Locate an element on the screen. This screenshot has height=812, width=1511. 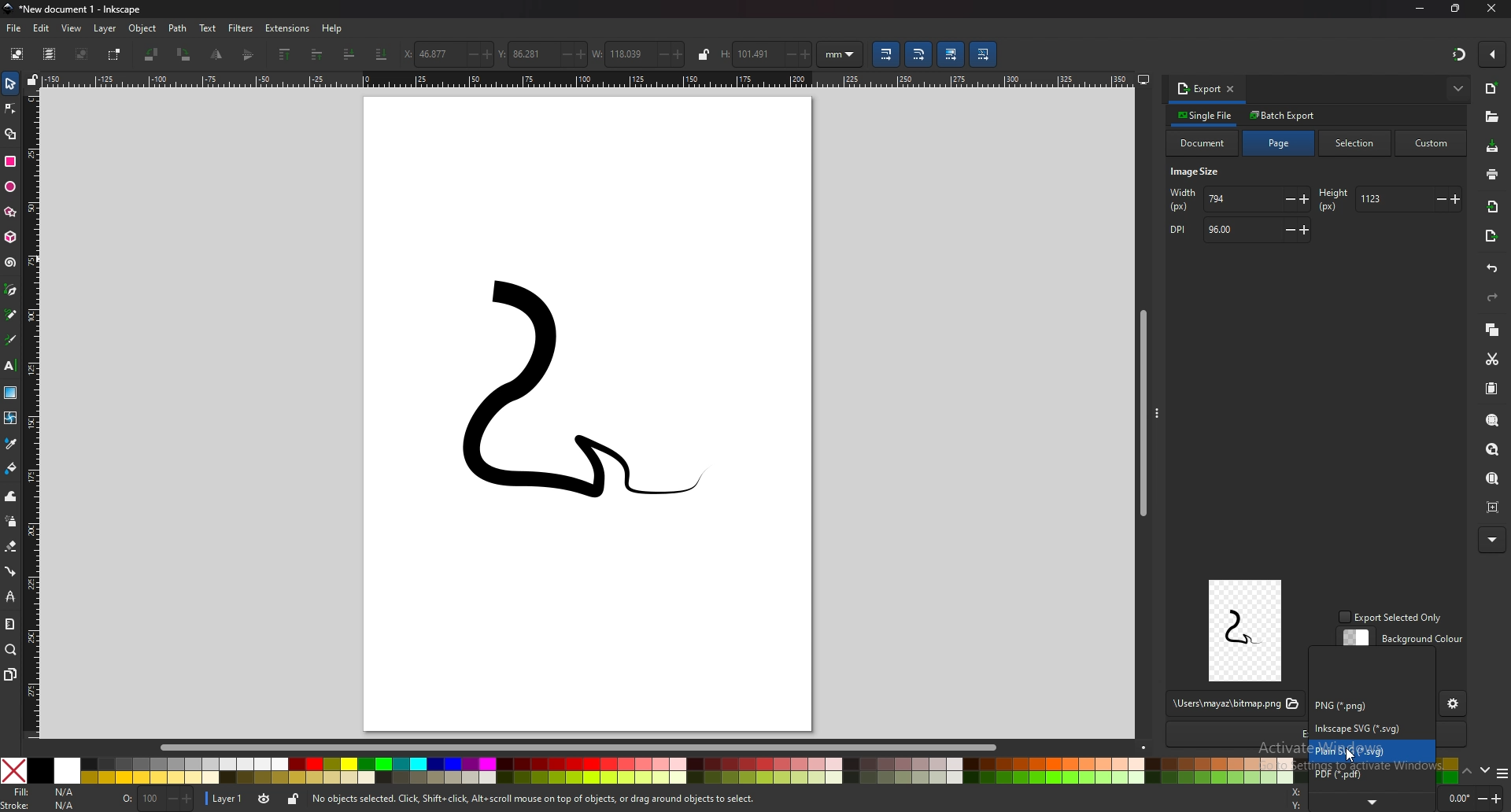
spray is located at coordinates (10, 521).